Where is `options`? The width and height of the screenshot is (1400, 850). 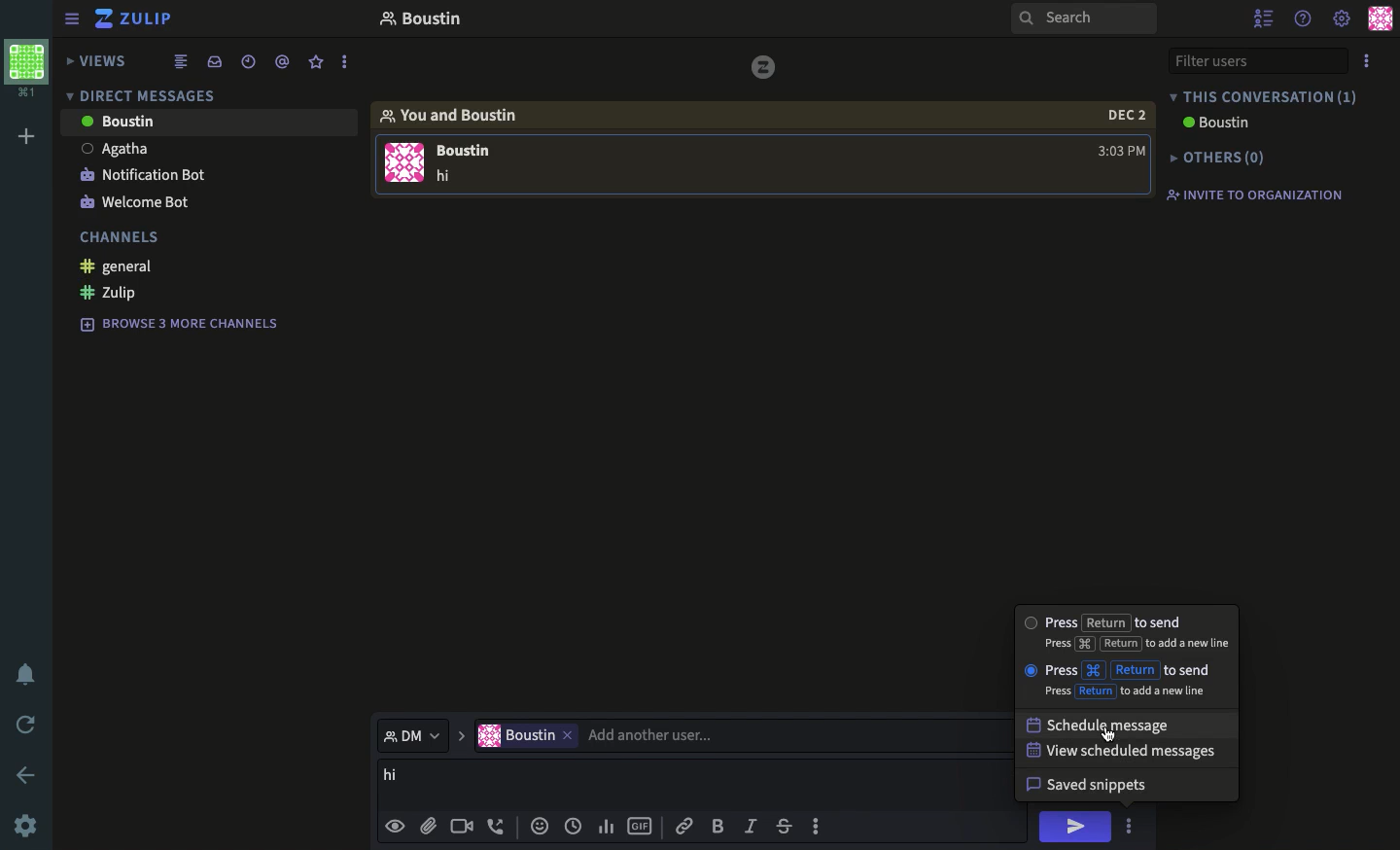 options is located at coordinates (345, 62).